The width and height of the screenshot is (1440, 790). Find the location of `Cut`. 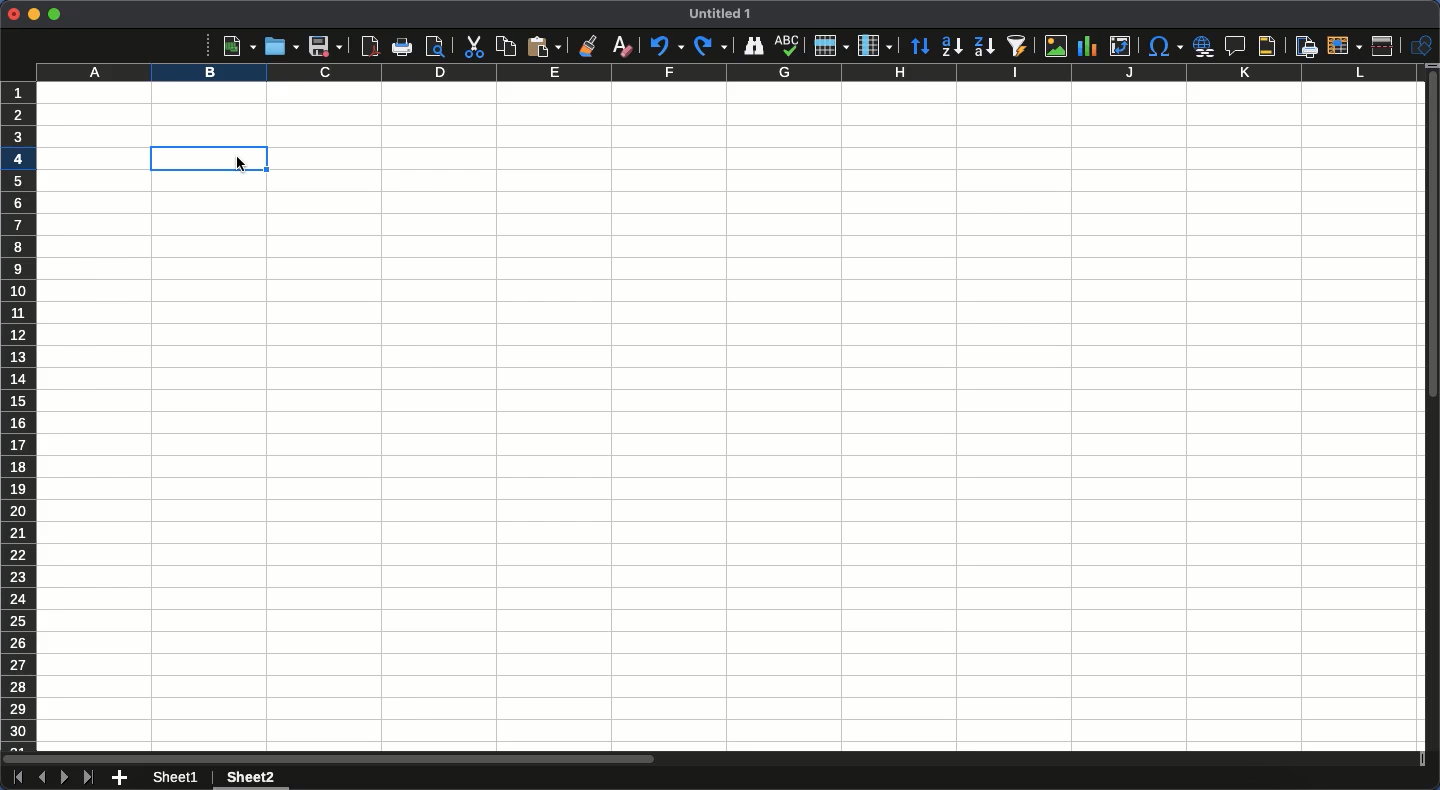

Cut is located at coordinates (472, 47).